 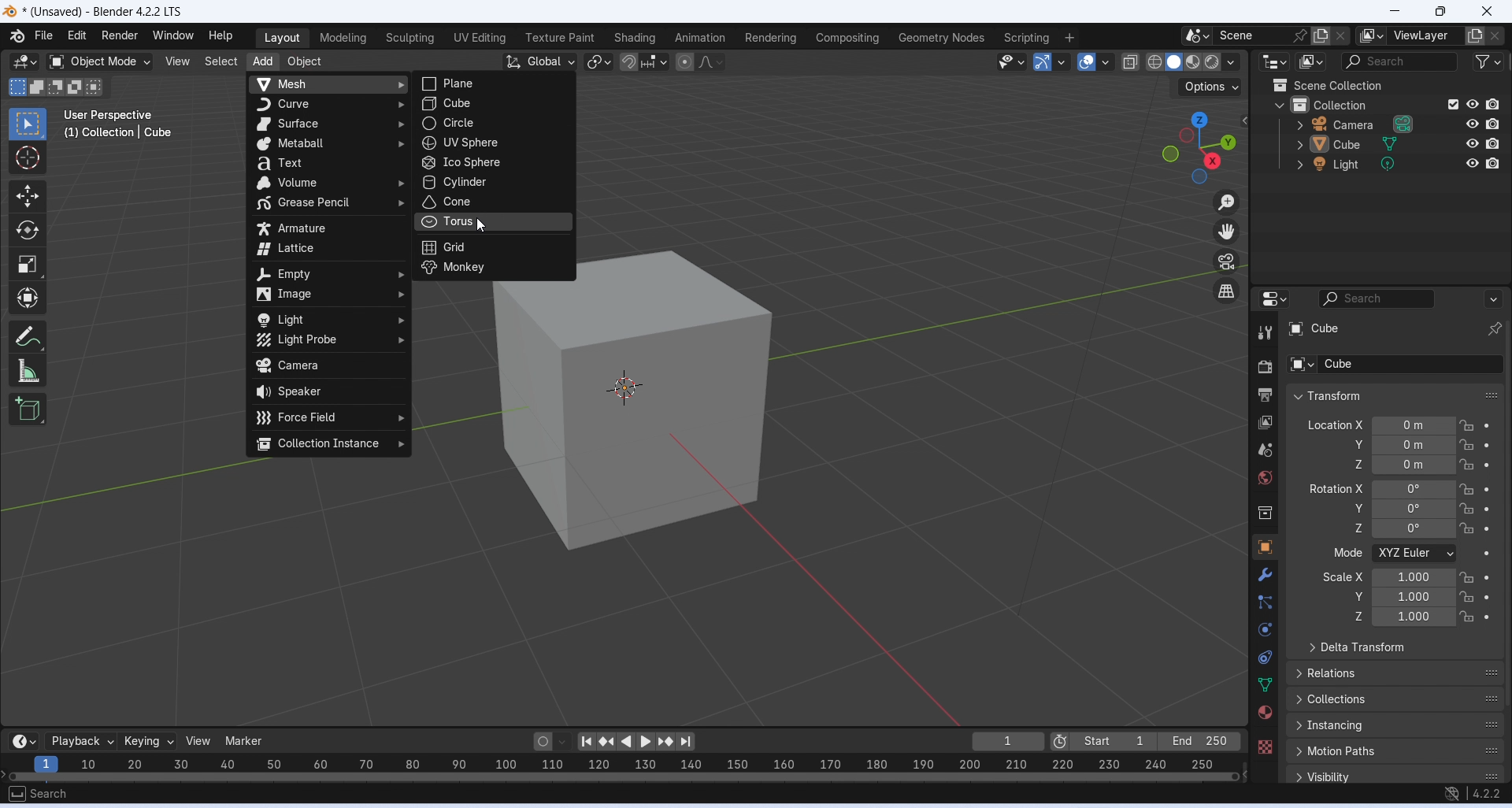 I want to click on user perspective, so click(x=114, y=116).